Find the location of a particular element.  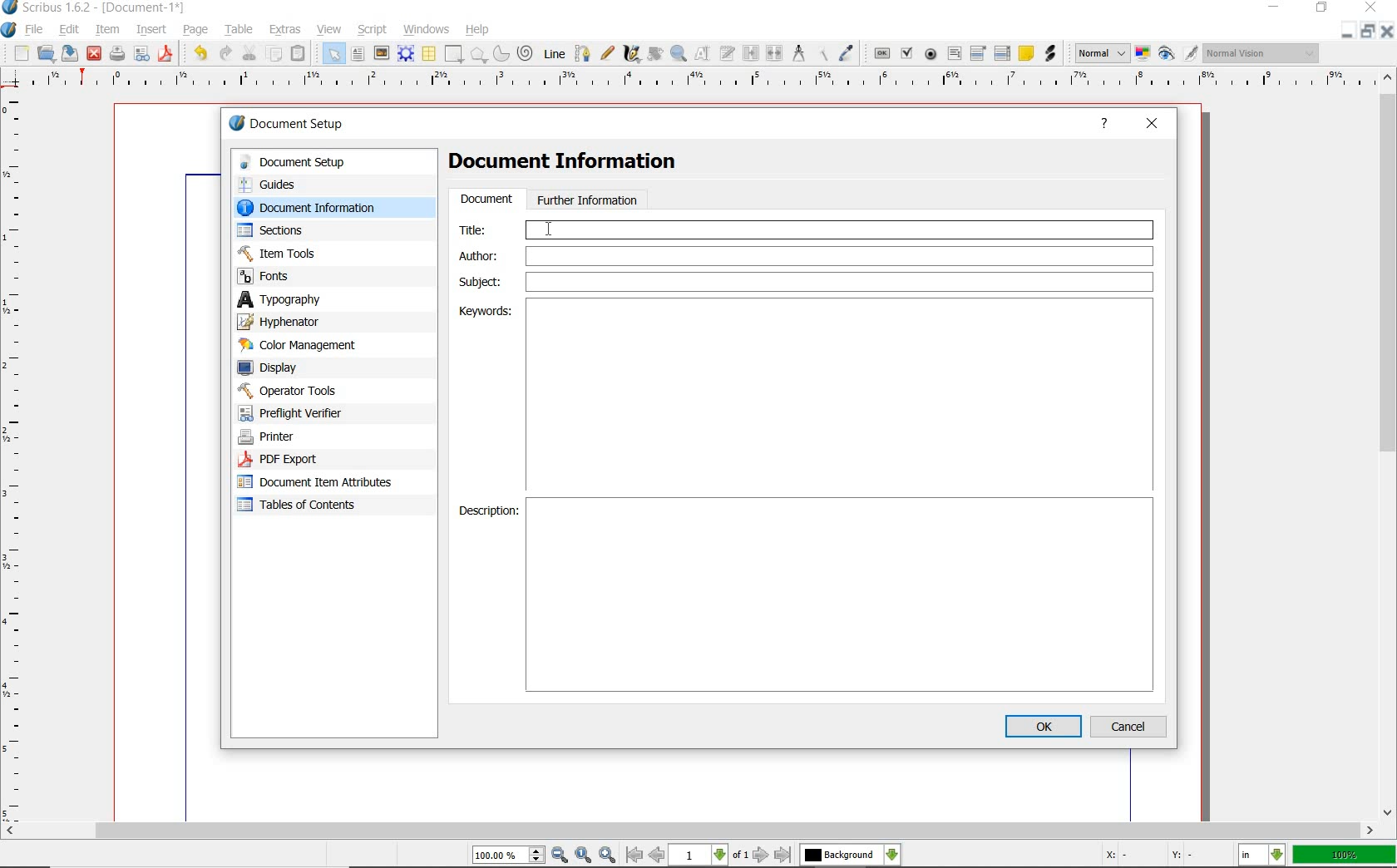

copy item properties is located at coordinates (821, 54).